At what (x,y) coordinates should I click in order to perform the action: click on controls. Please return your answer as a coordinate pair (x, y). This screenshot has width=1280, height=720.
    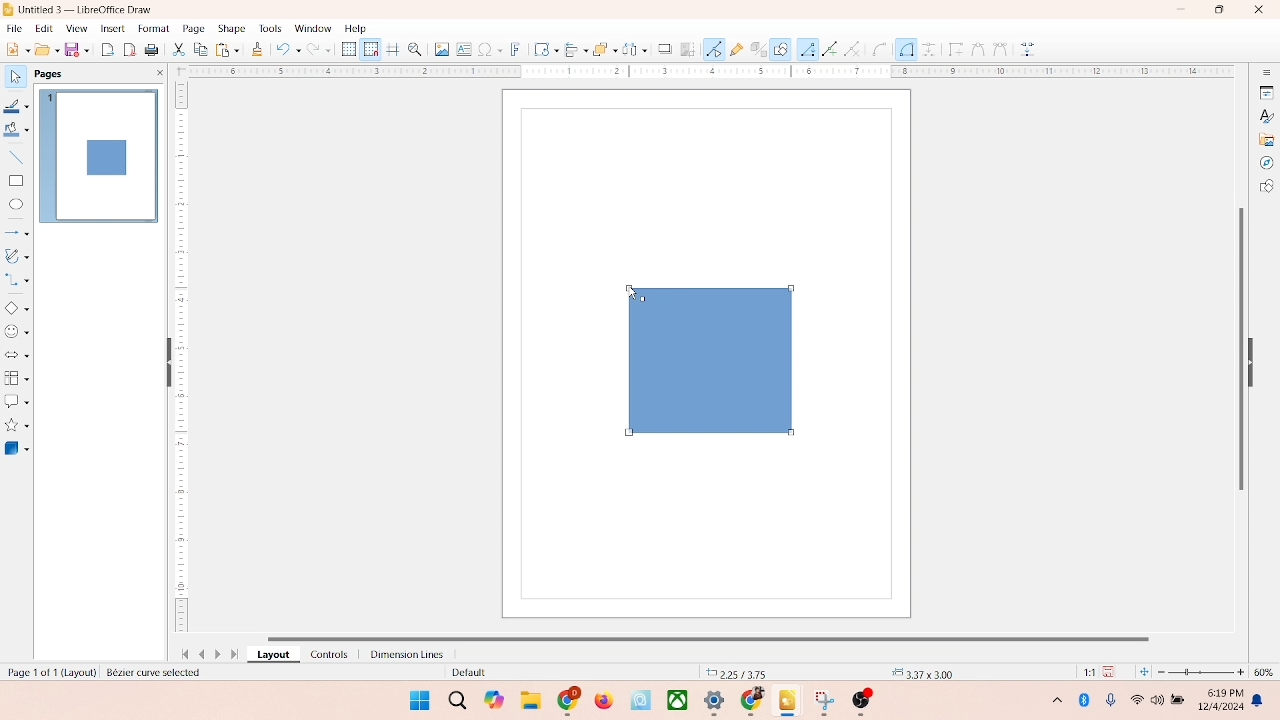
    Looking at the image, I should click on (324, 654).